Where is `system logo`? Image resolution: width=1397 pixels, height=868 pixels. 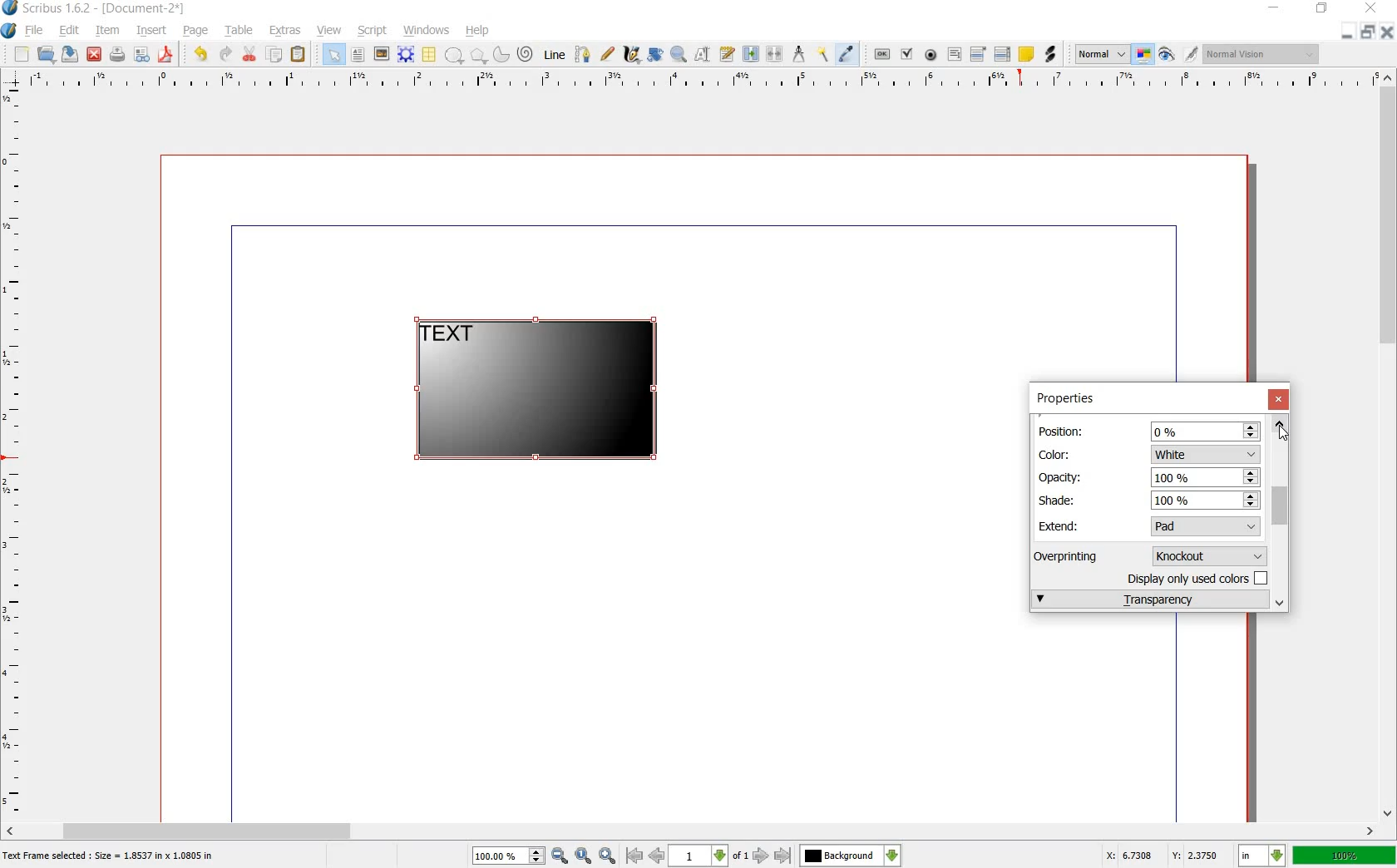
system logo is located at coordinates (8, 31).